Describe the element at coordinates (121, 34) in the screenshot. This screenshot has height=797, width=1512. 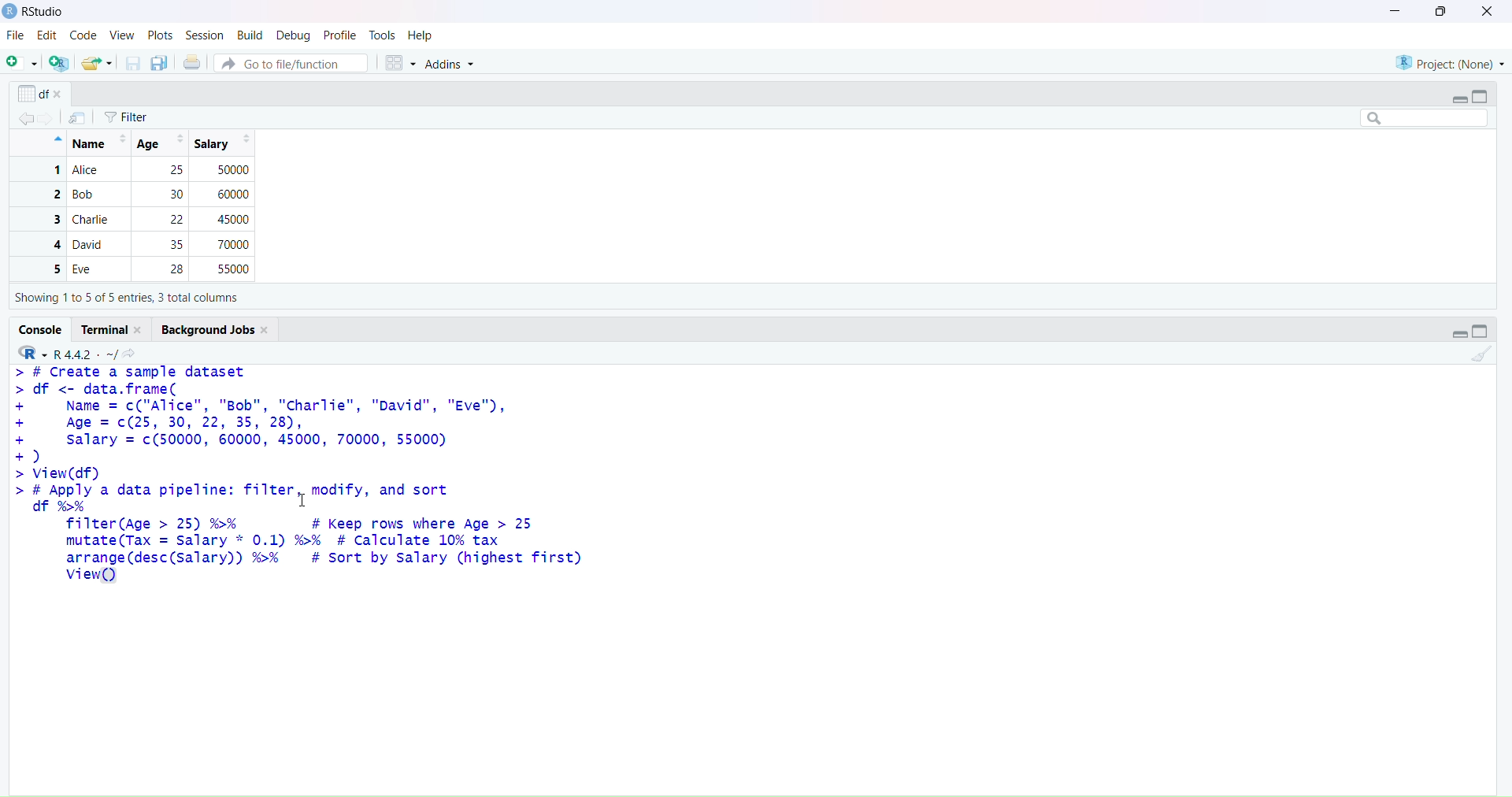
I see `view` at that location.